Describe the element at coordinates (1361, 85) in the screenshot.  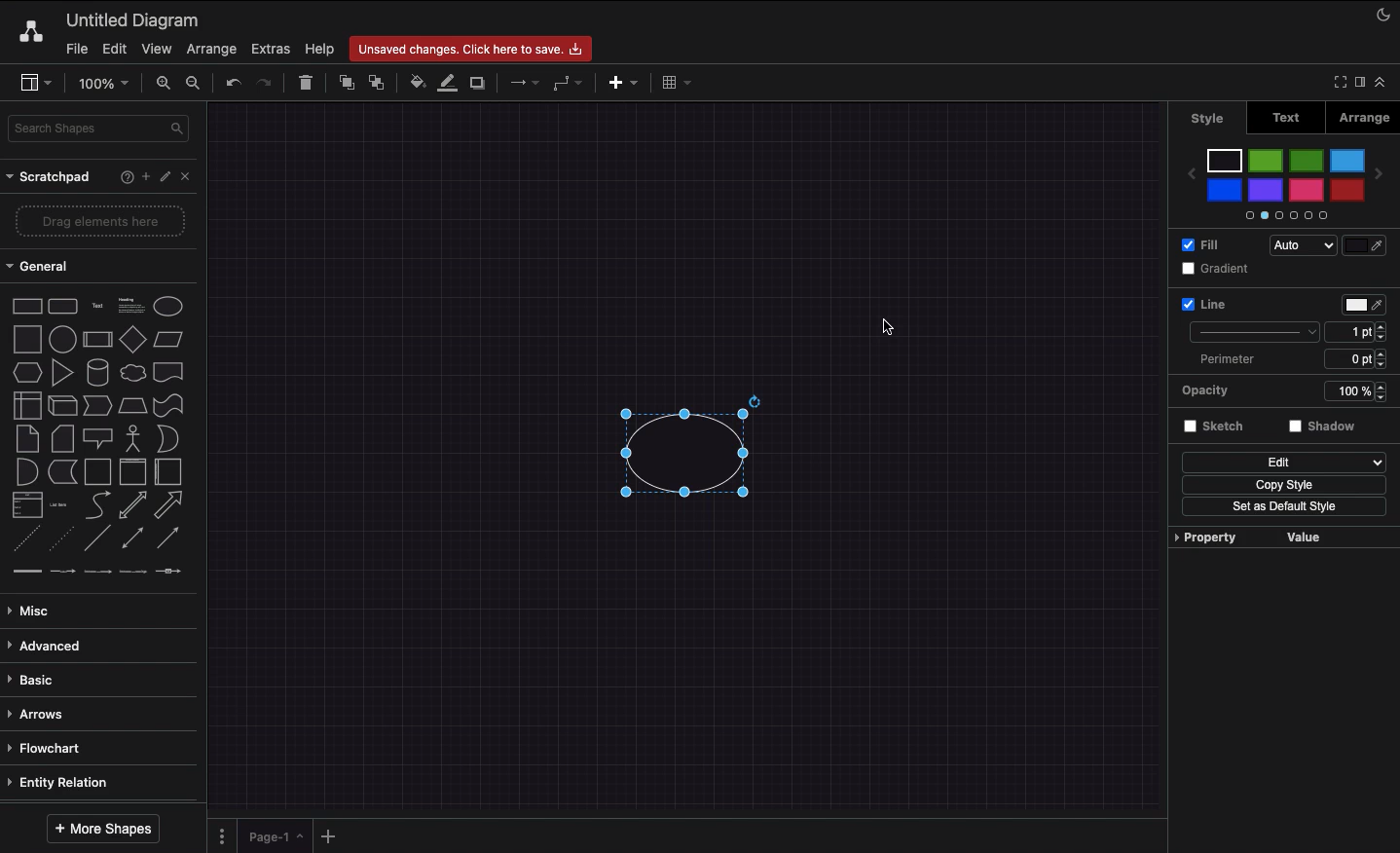
I see `Format` at that location.